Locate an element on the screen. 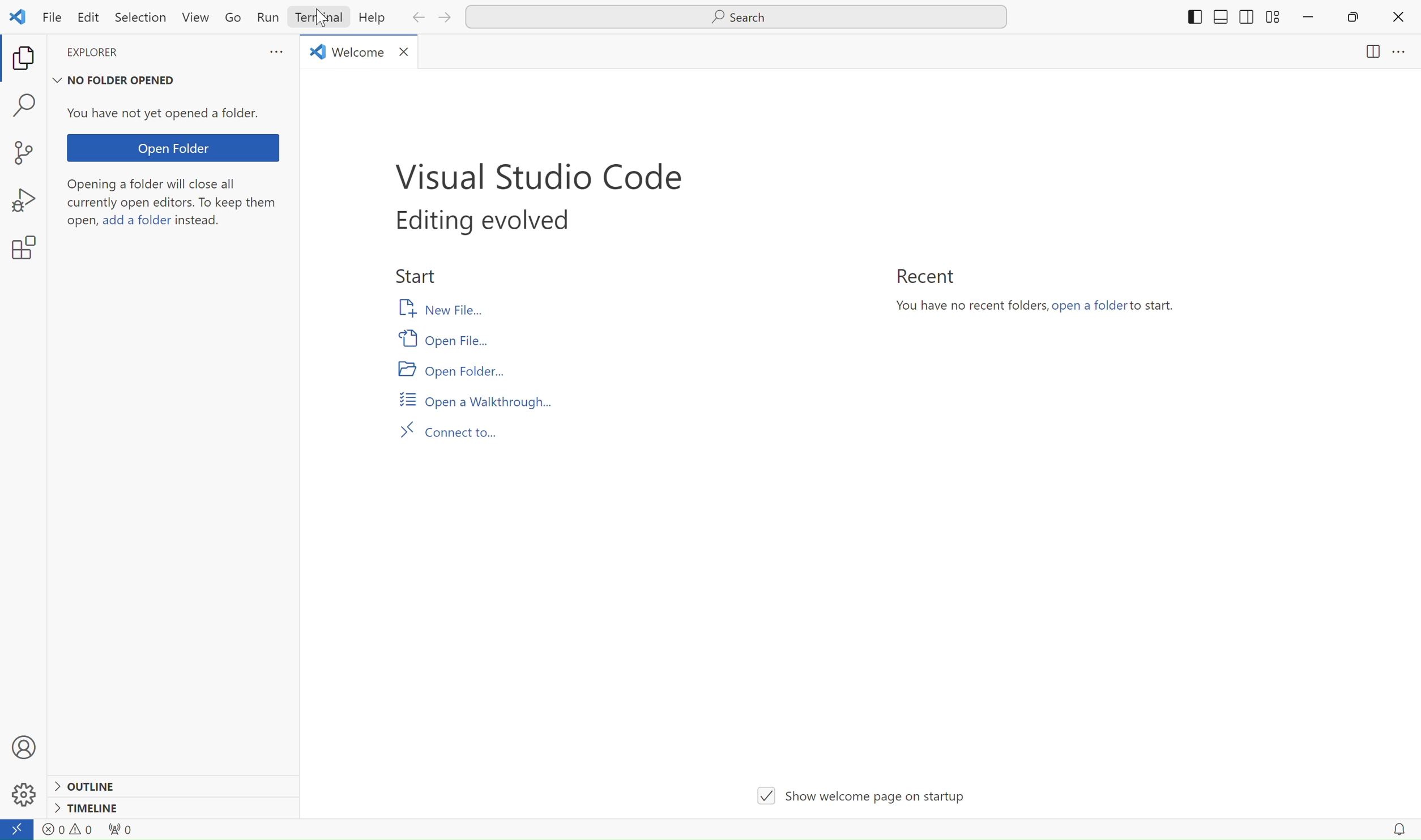  outline is located at coordinates (88, 784).